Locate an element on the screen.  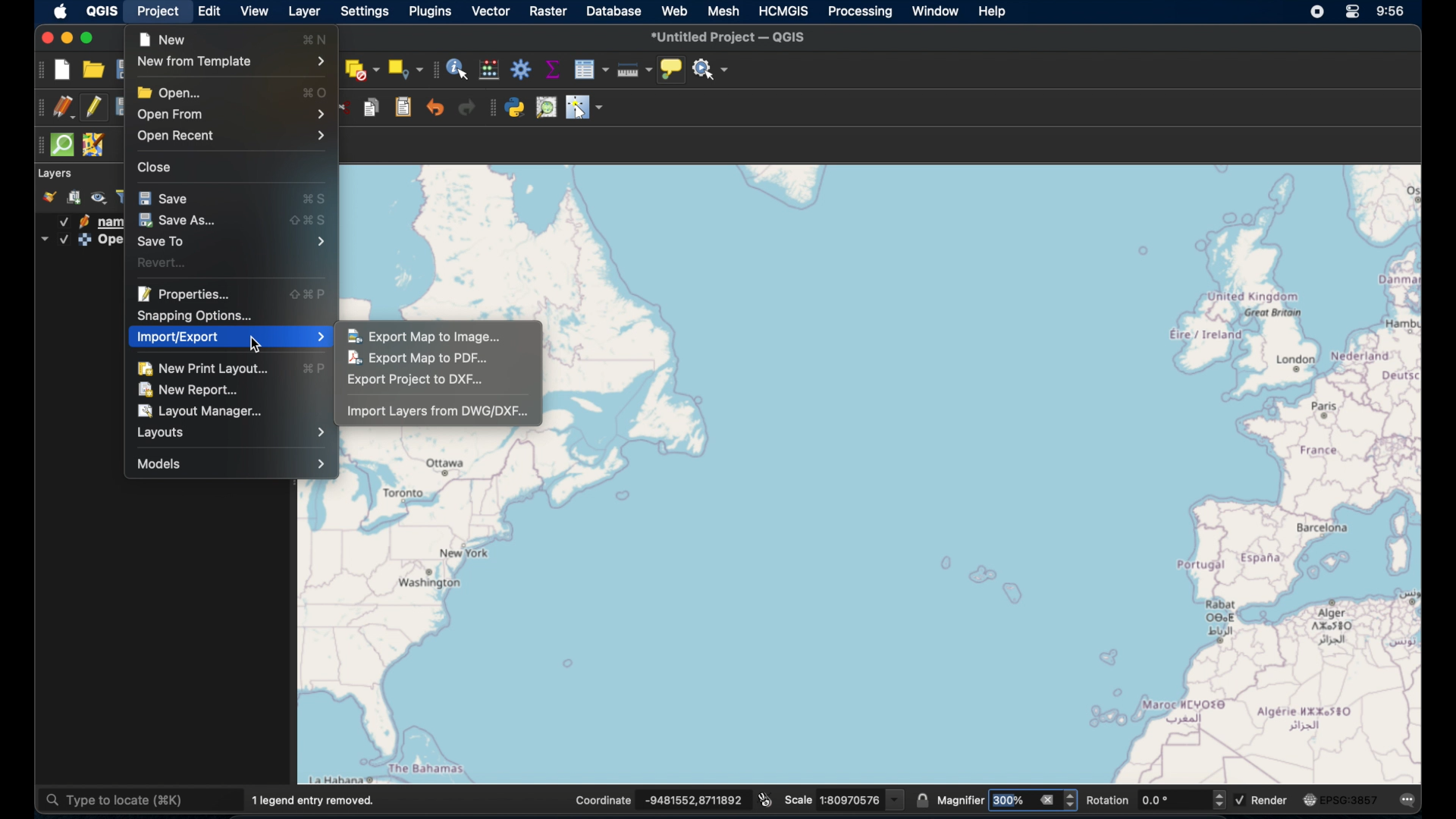
edit is located at coordinates (210, 11).